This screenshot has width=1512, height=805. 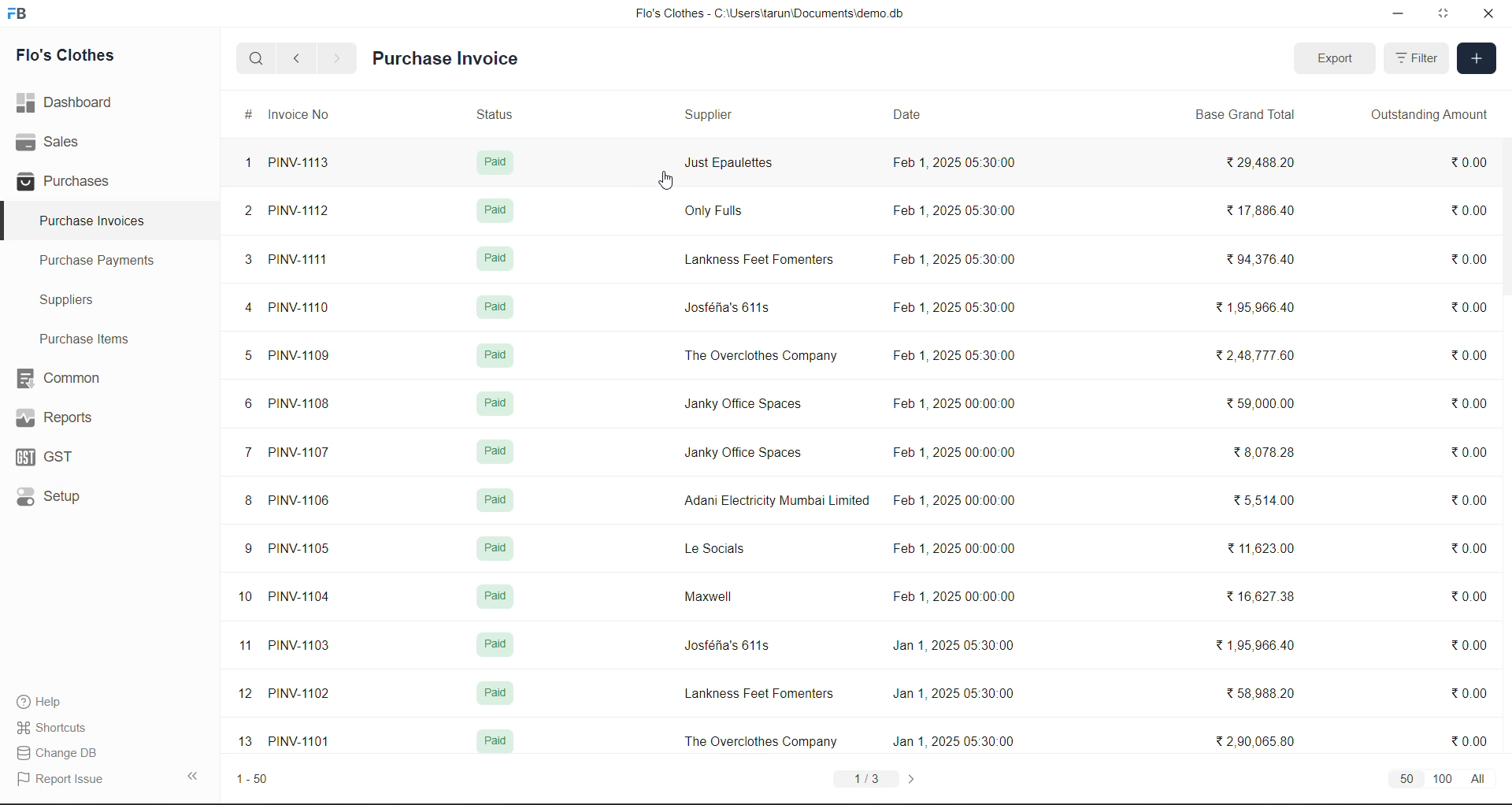 I want to click on ₹17,886.40, so click(x=1263, y=210).